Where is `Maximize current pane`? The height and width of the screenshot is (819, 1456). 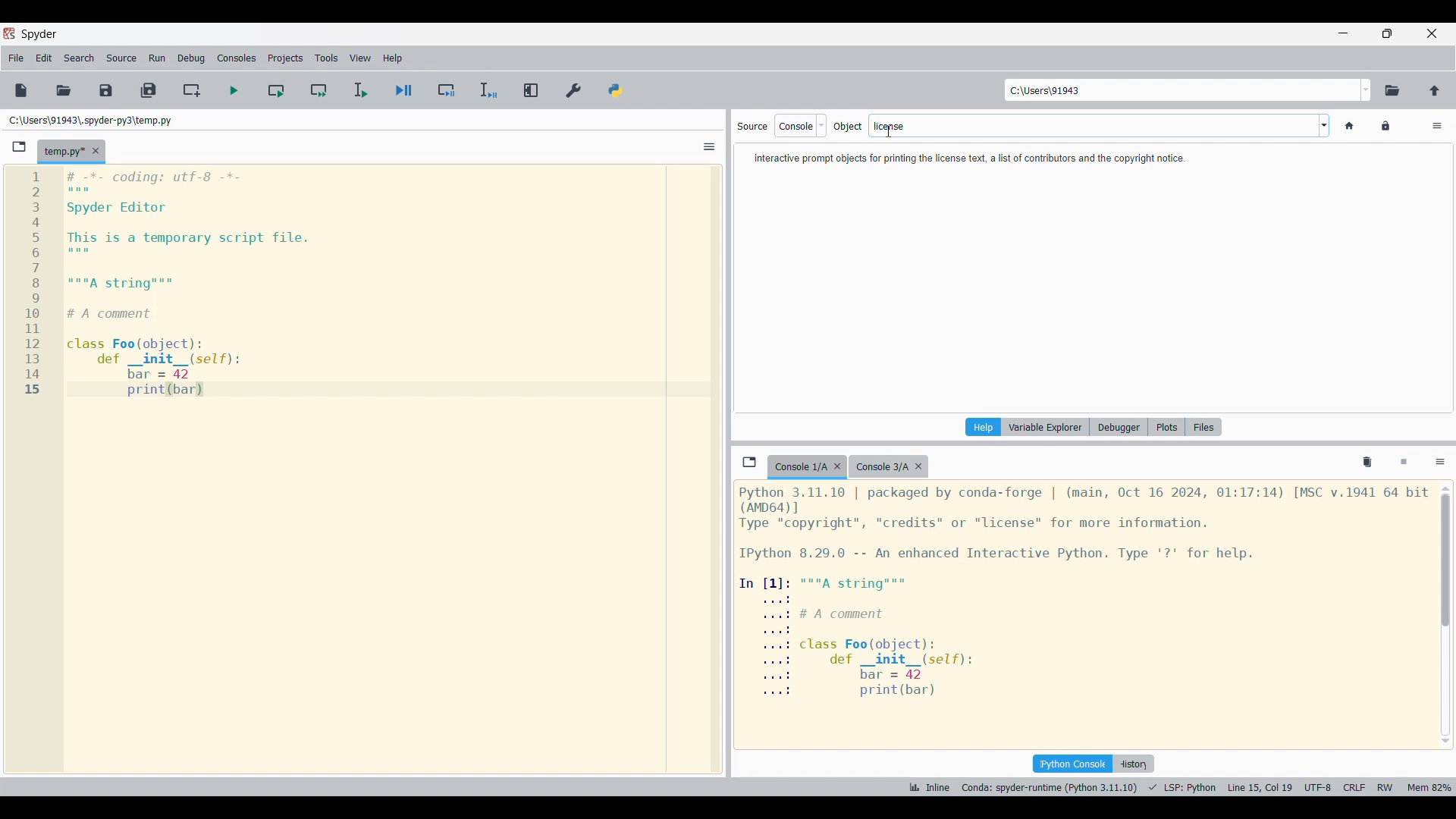 Maximize current pane is located at coordinates (532, 90).